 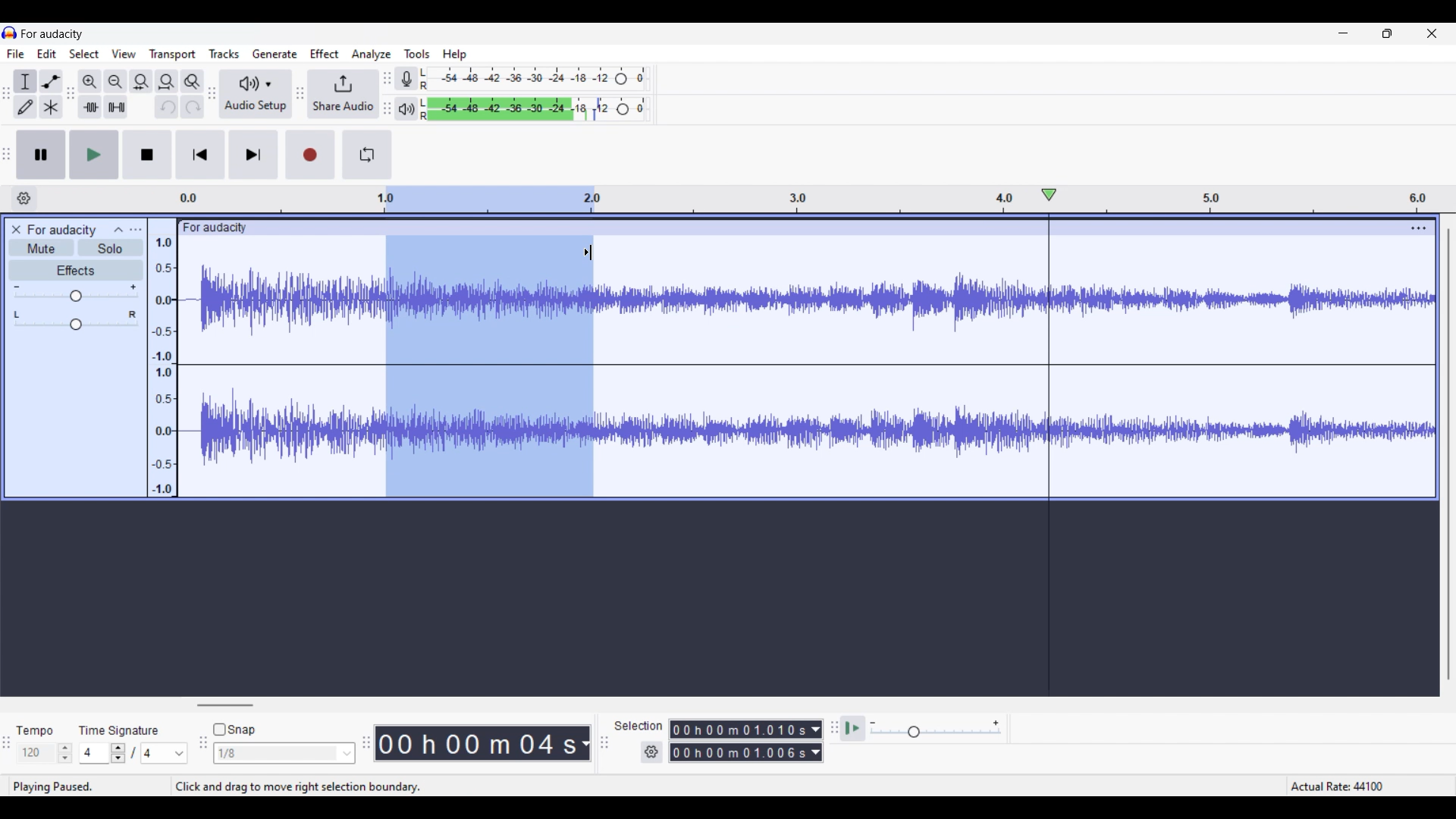 What do you see at coordinates (256, 93) in the screenshot?
I see `Audio setup` at bounding box center [256, 93].